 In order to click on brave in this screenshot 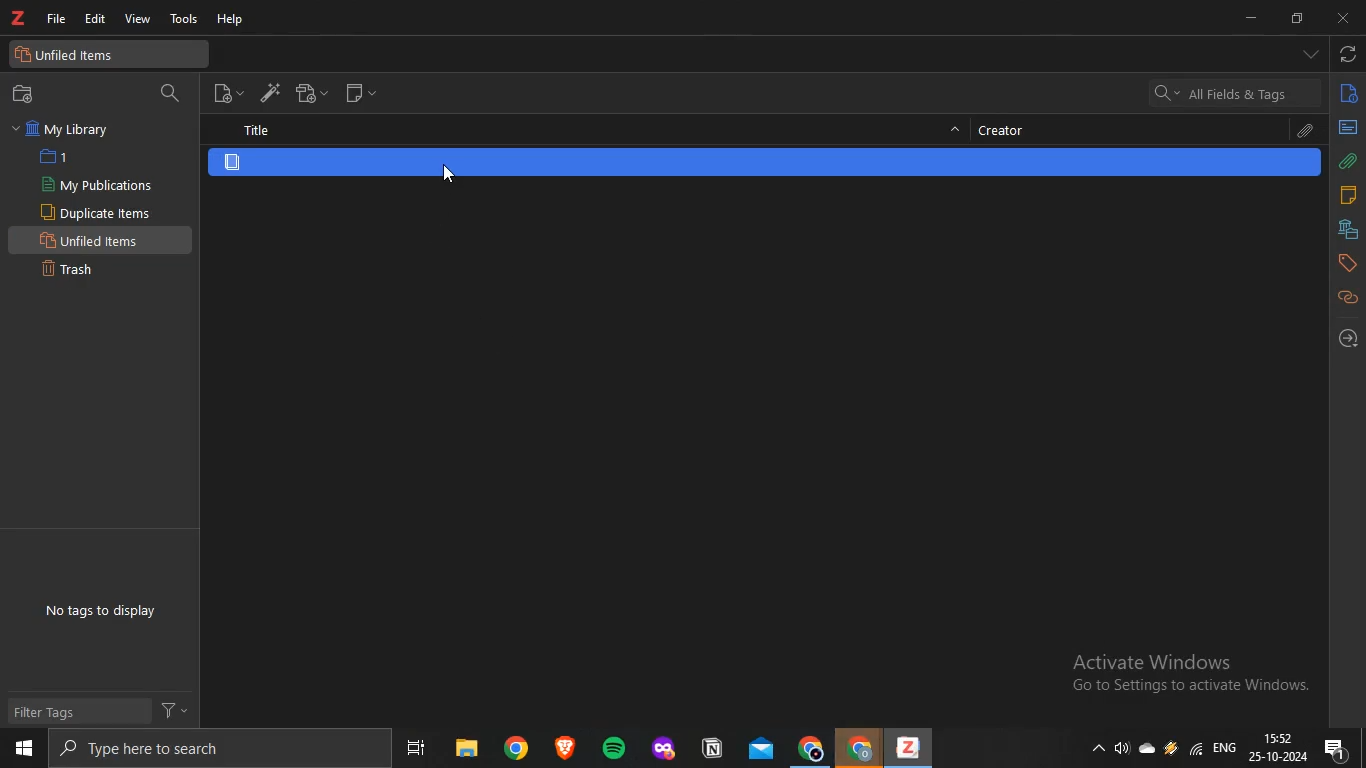, I will do `click(563, 747)`.